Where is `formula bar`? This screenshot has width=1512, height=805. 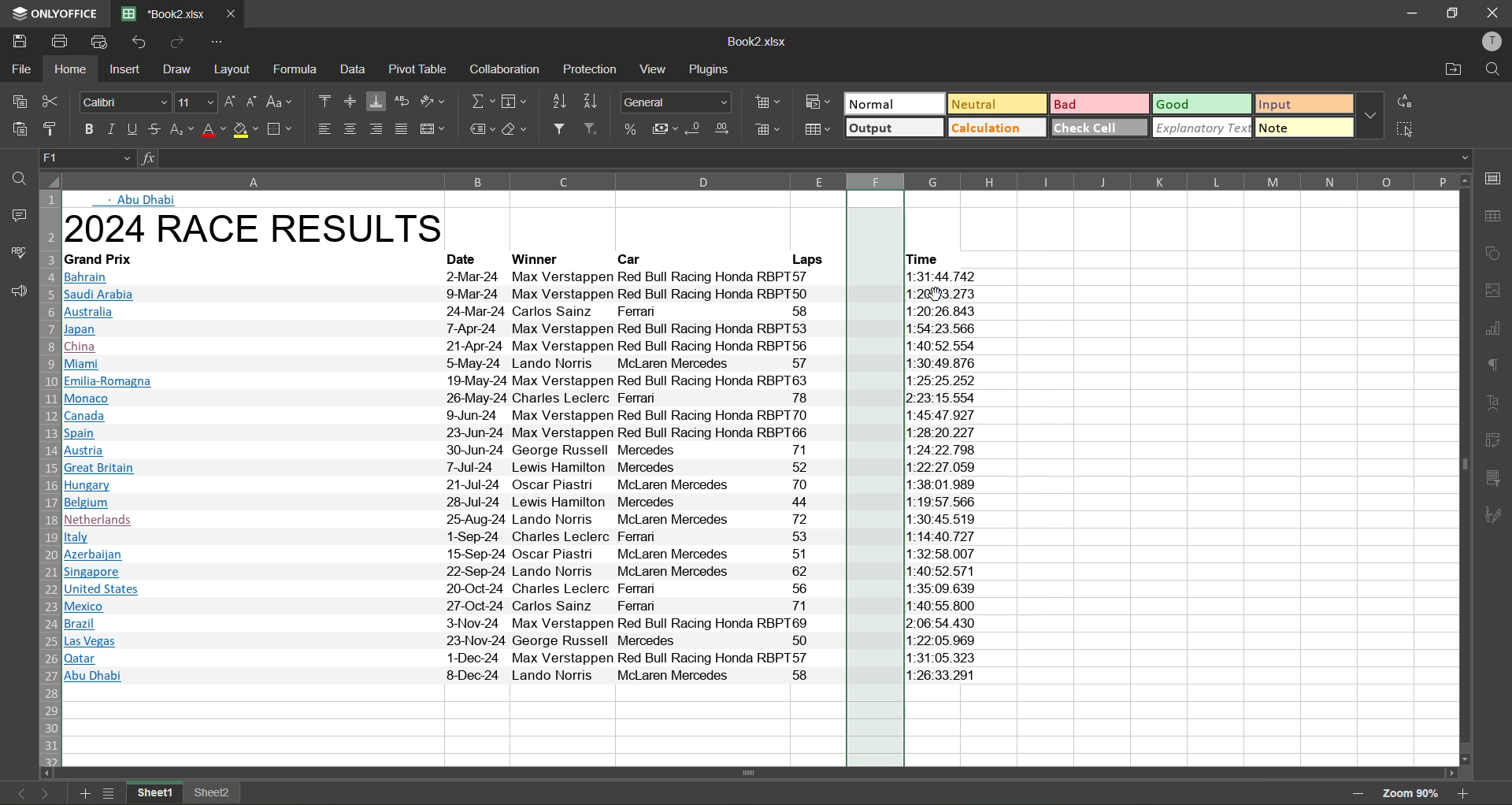
formula bar is located at coordinates (814, 157).